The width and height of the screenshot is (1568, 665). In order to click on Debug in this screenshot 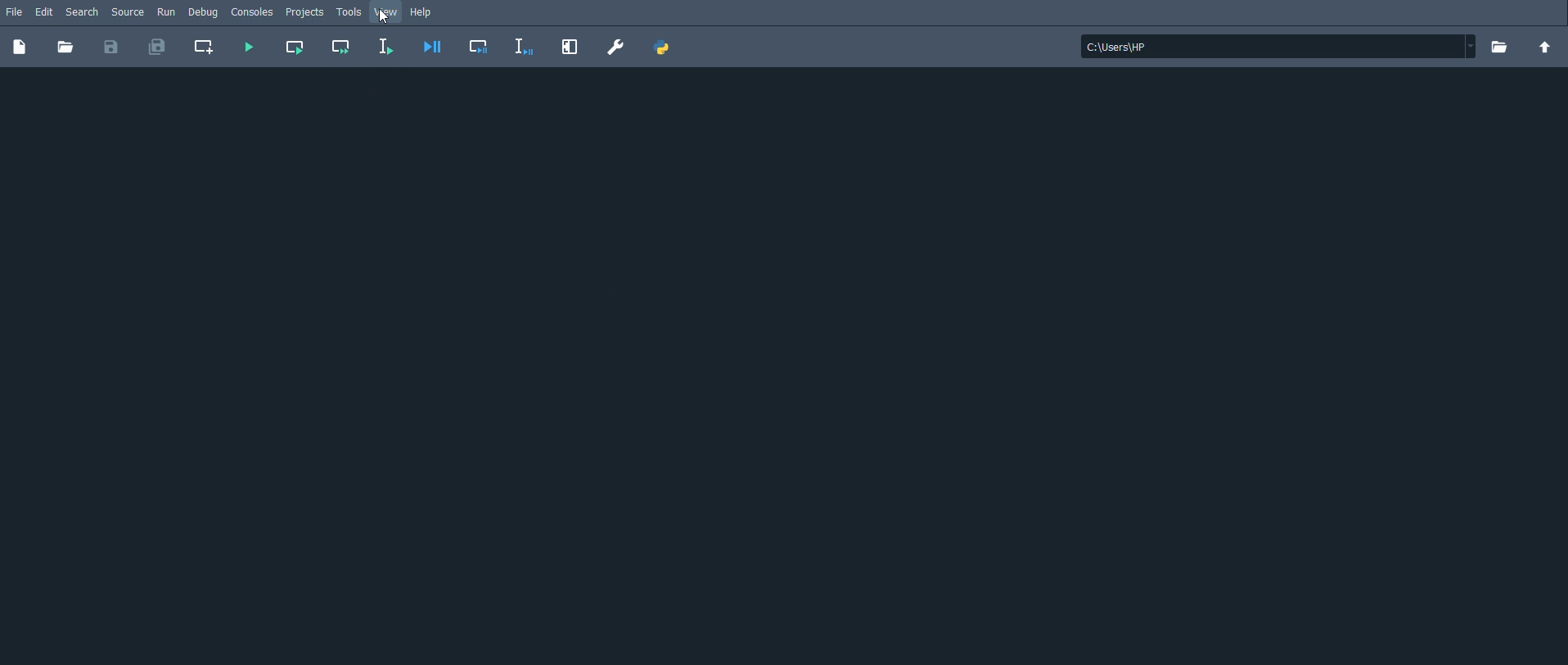, I will do `click(204, 14)`.